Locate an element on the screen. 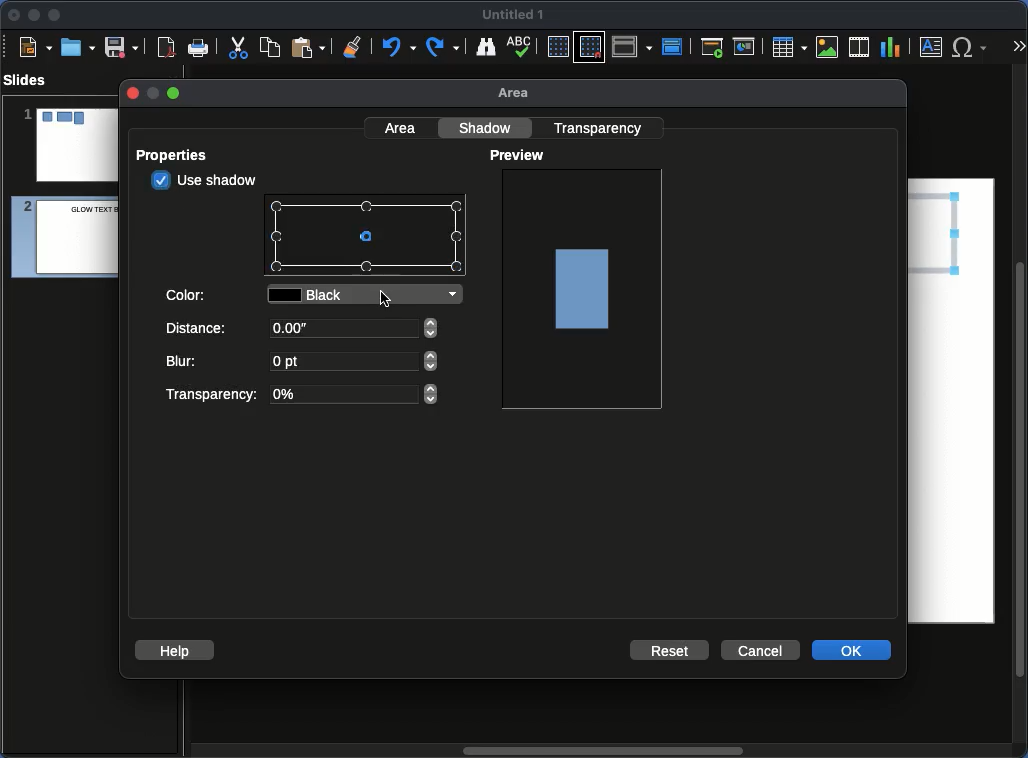 The height and width of the screenshot is (758, 1028). Export as PDF is located at coordinates (166, 48).